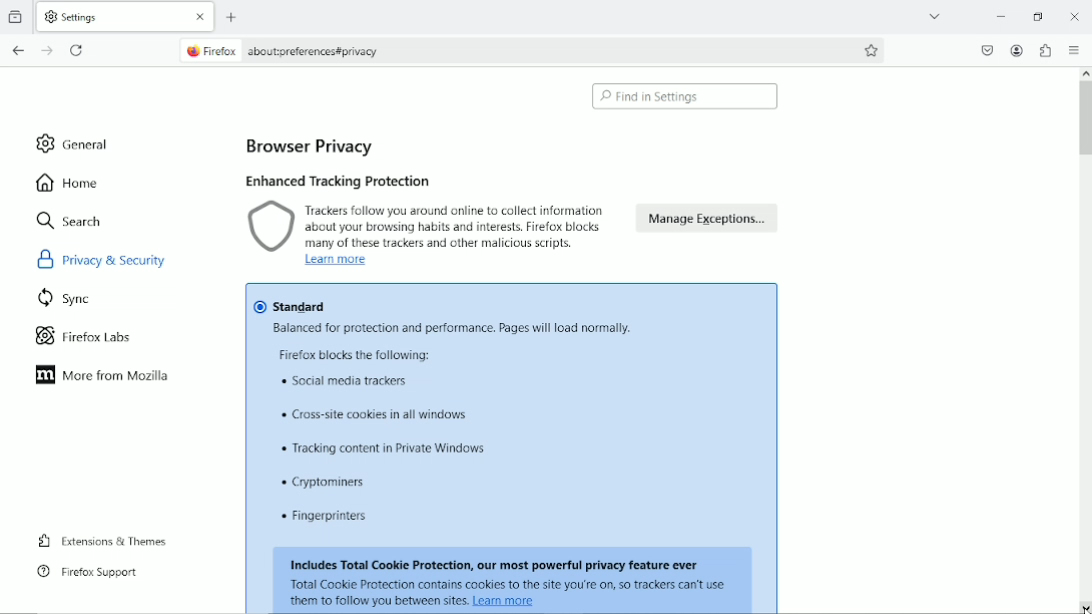 The width and height of the screenshot is (1092, 614). Describe the element at coordinates (338, 261) in the screenshot. I see `link` at that location.